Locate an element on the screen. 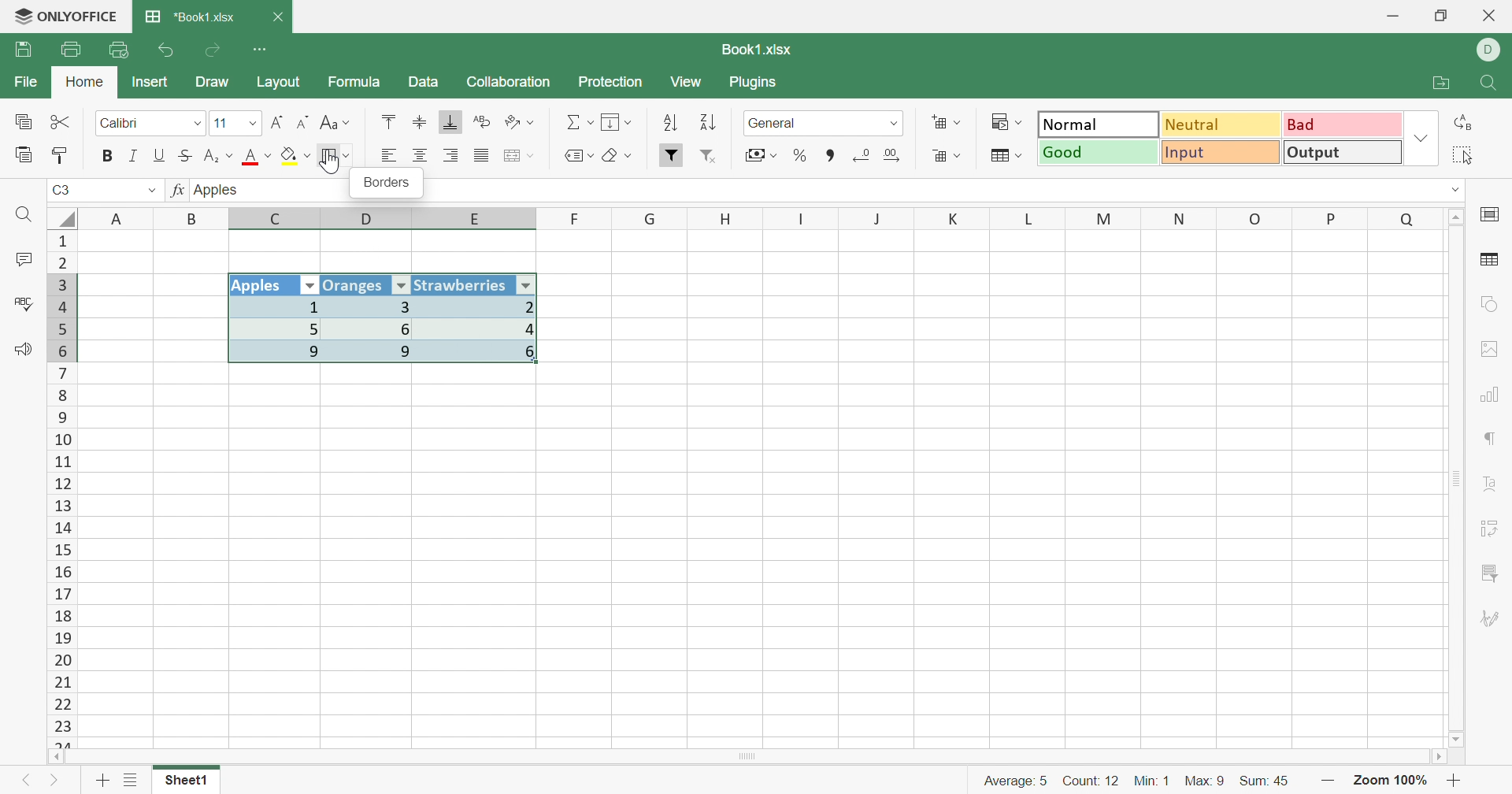 Image resolution: width=1512 pixels, height=794 pixels. Zoom out is located at coordinates (1329, 780).